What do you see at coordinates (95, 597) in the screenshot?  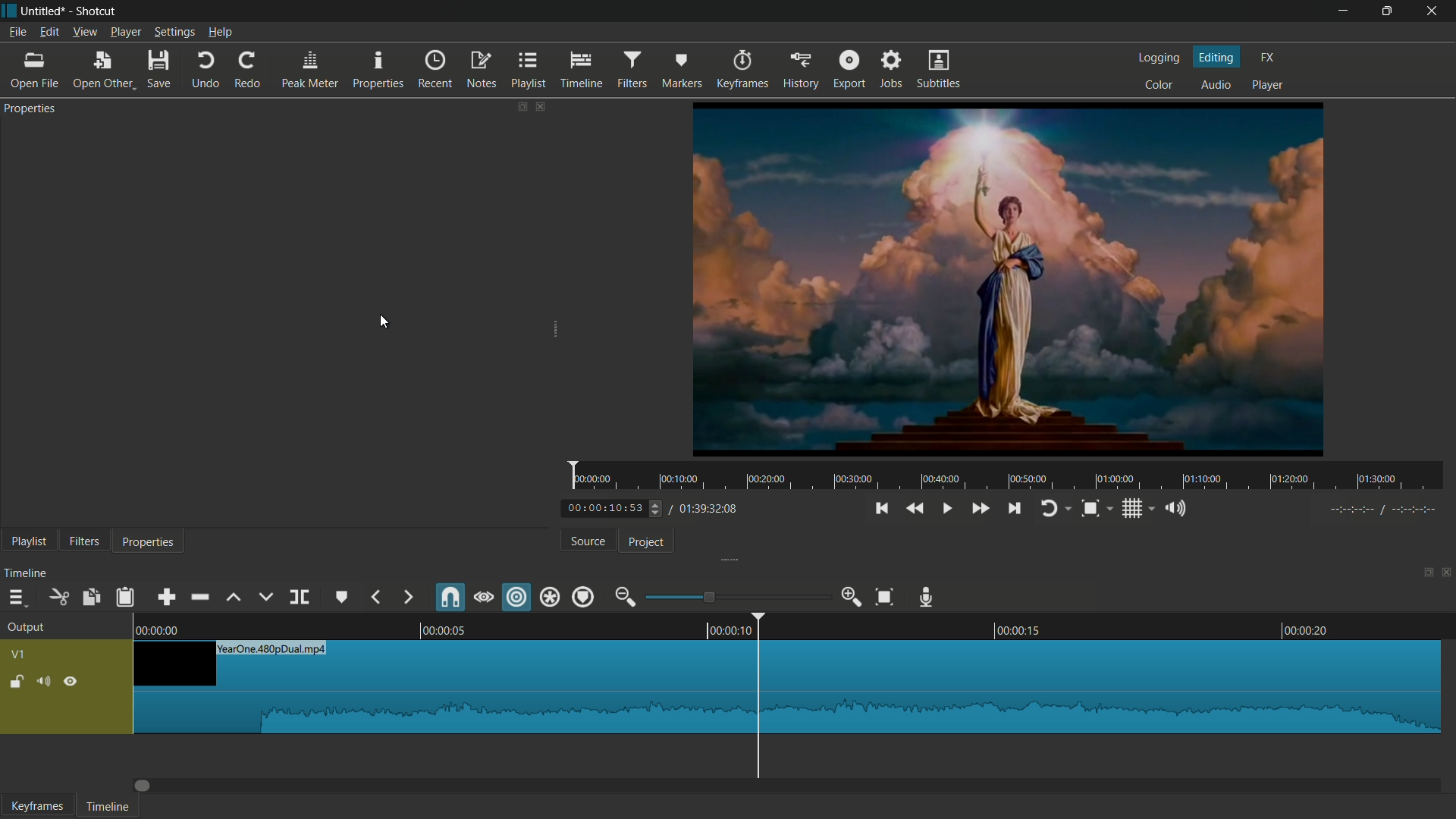 I see `copy` at bounding box center [95, 597].